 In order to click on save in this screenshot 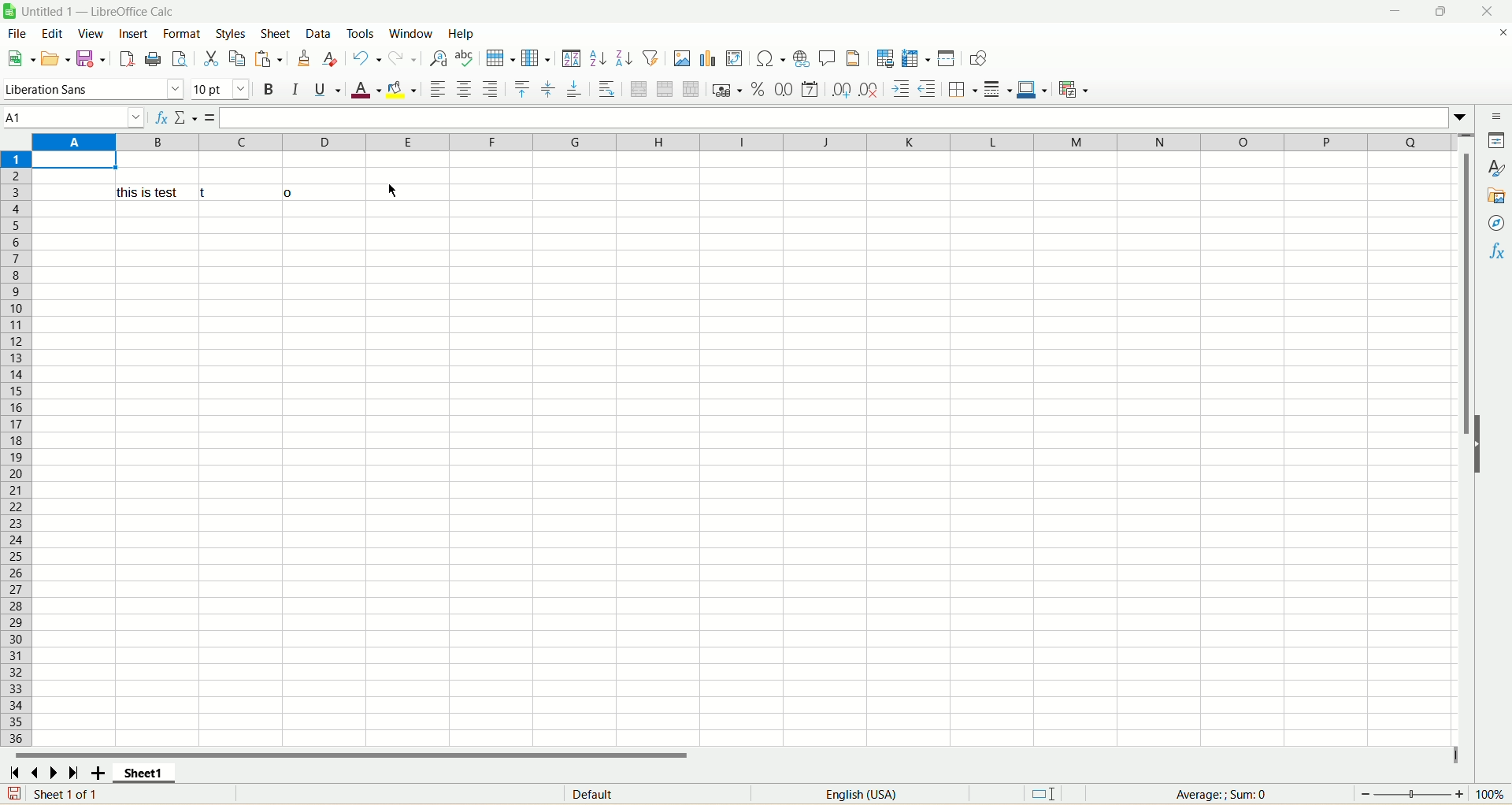, I will do `click(88, 57)`.